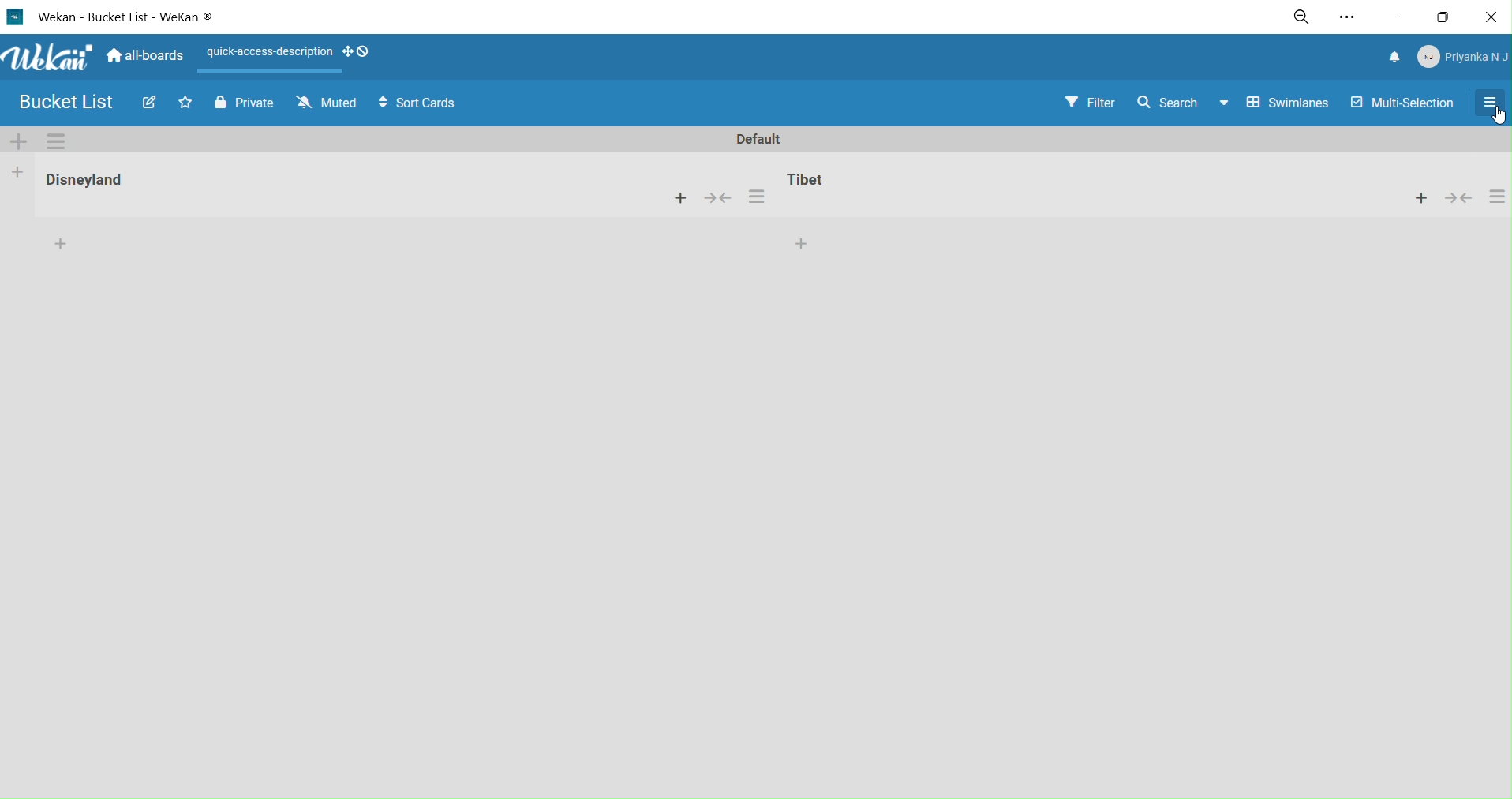 The height and width of the screenshot is (799, 1512). What do you see at coordinates (269, 54) in the screenshot?
I see `quick access description` at bounding box center [269, 54].